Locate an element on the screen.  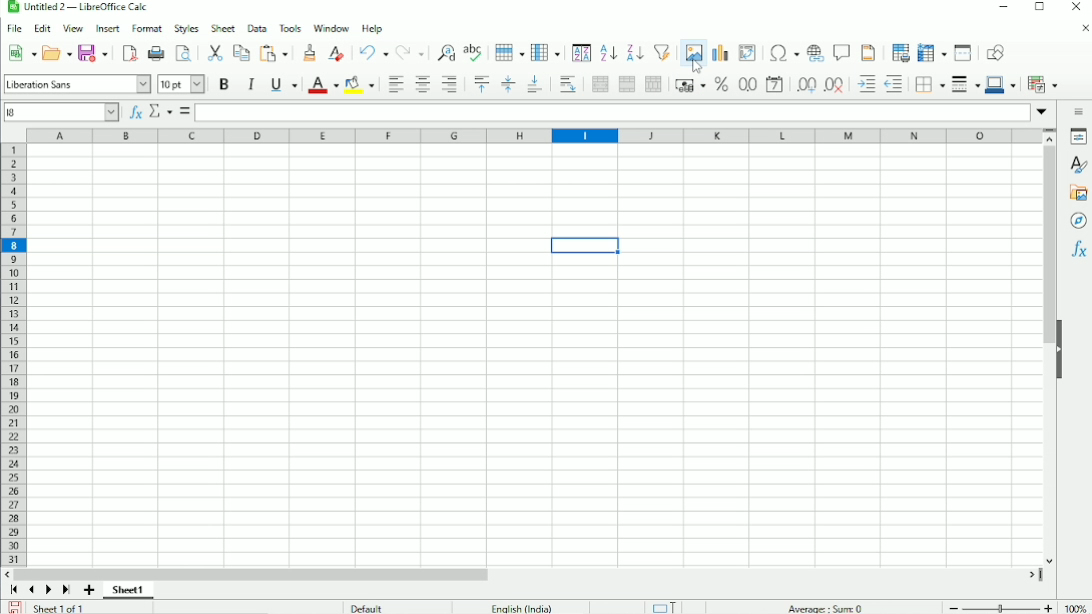
Standard selection is located at coordinates (667, 606).